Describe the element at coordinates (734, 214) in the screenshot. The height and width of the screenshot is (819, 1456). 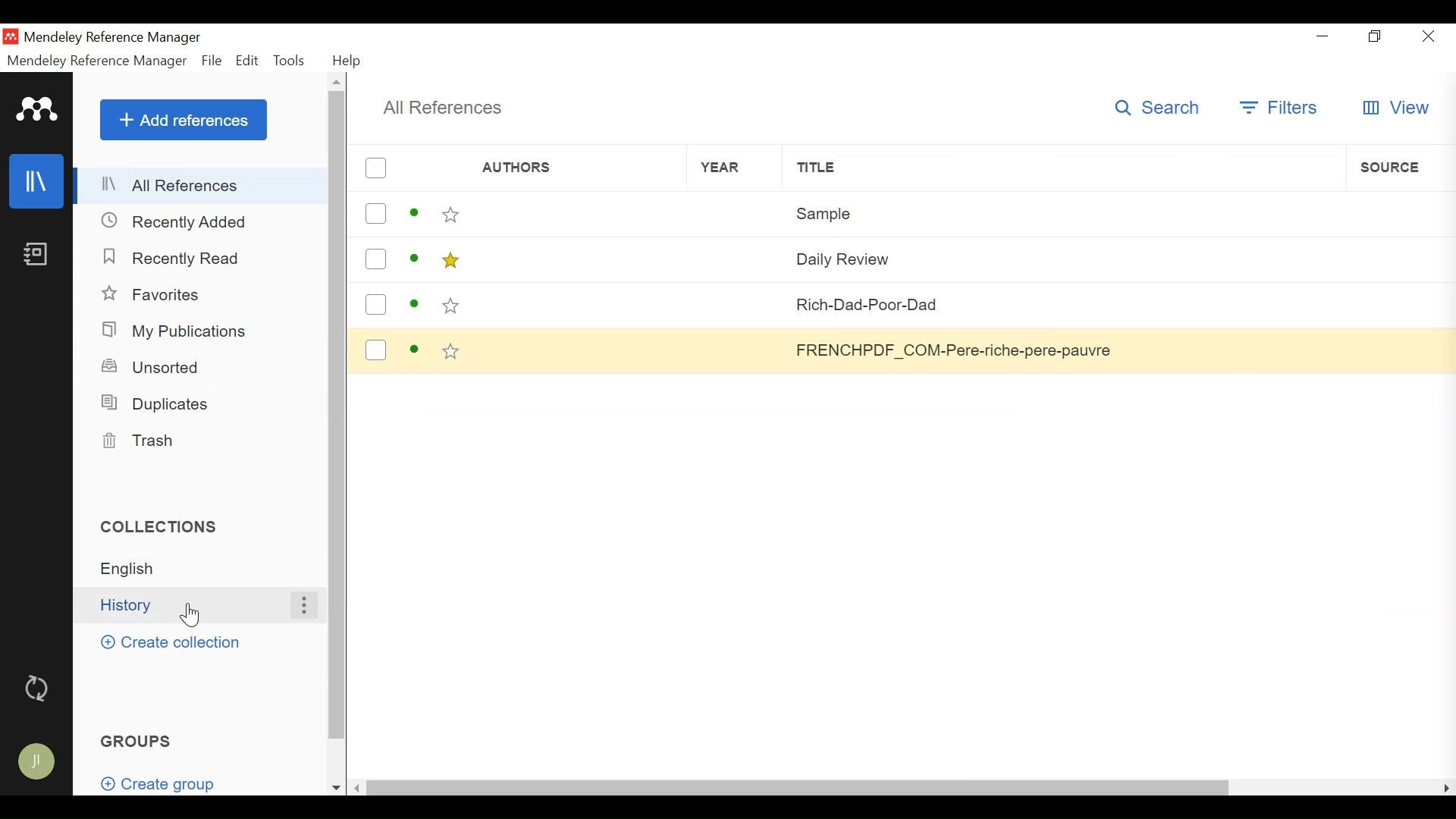
I see `Year` at that location.